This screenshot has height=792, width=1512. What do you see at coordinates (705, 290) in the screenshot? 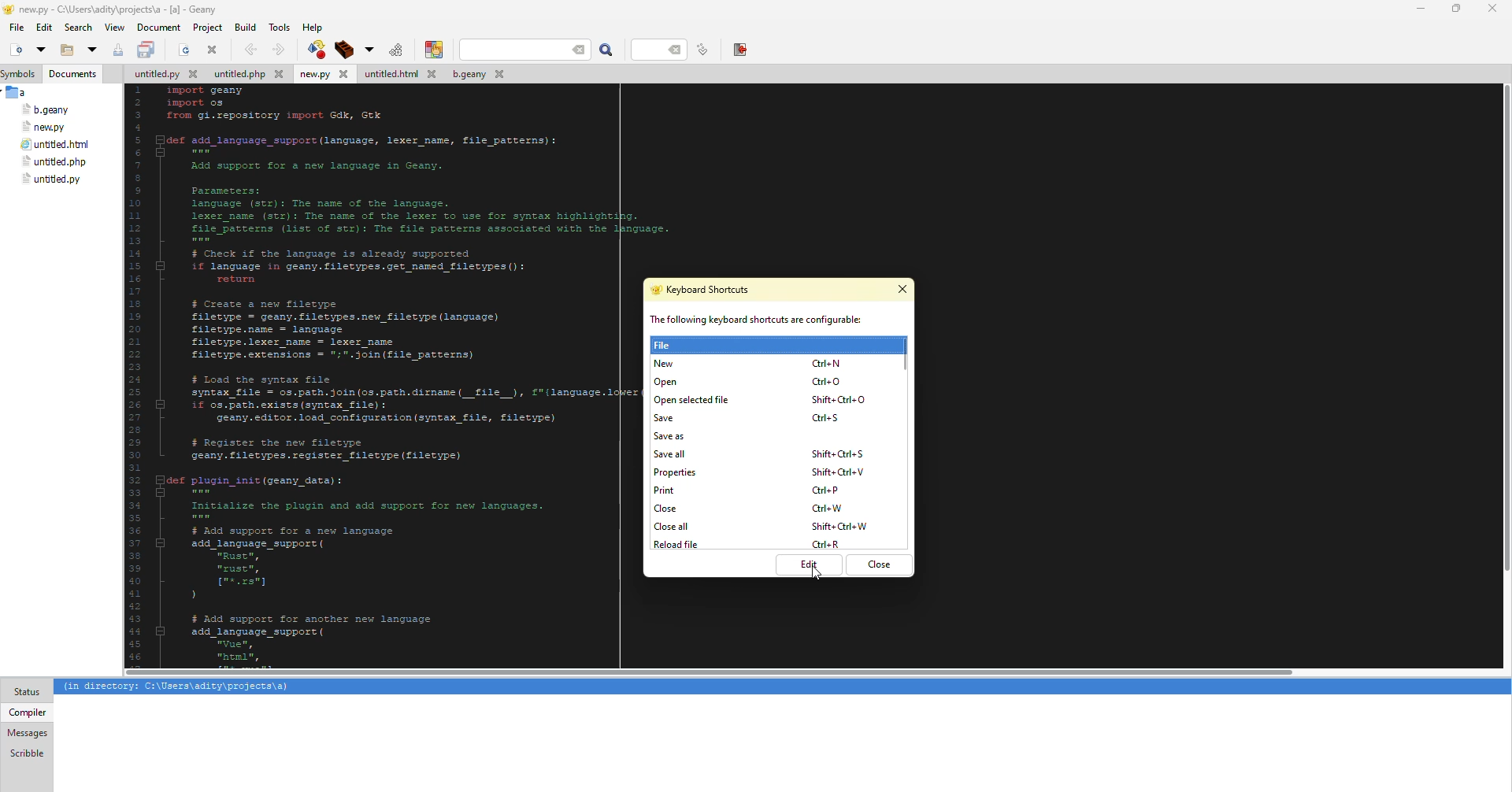
I see `keyboard shortcuts` at bounding box center [705, 290].